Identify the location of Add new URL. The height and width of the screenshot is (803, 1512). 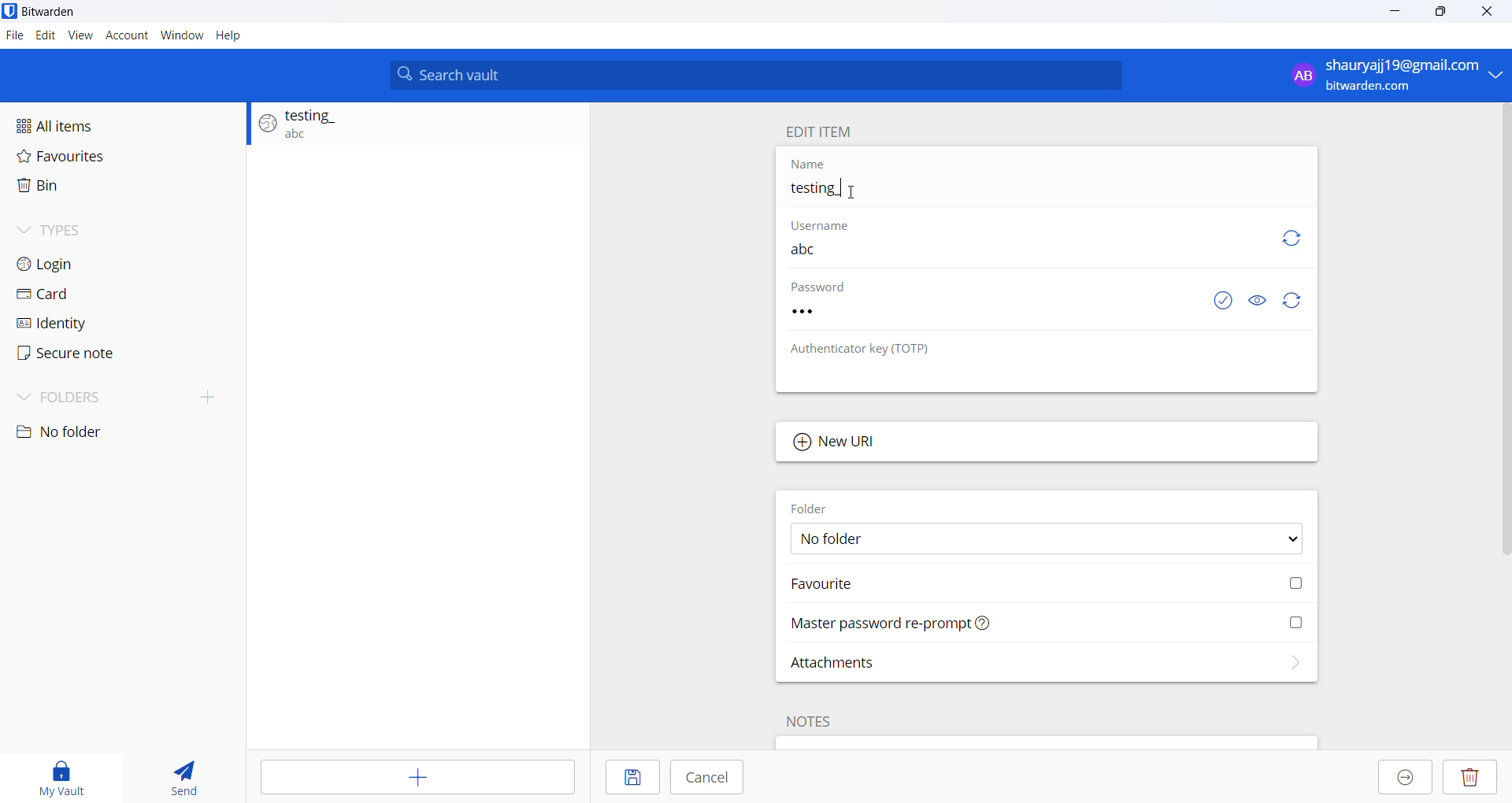
(1047, 445).